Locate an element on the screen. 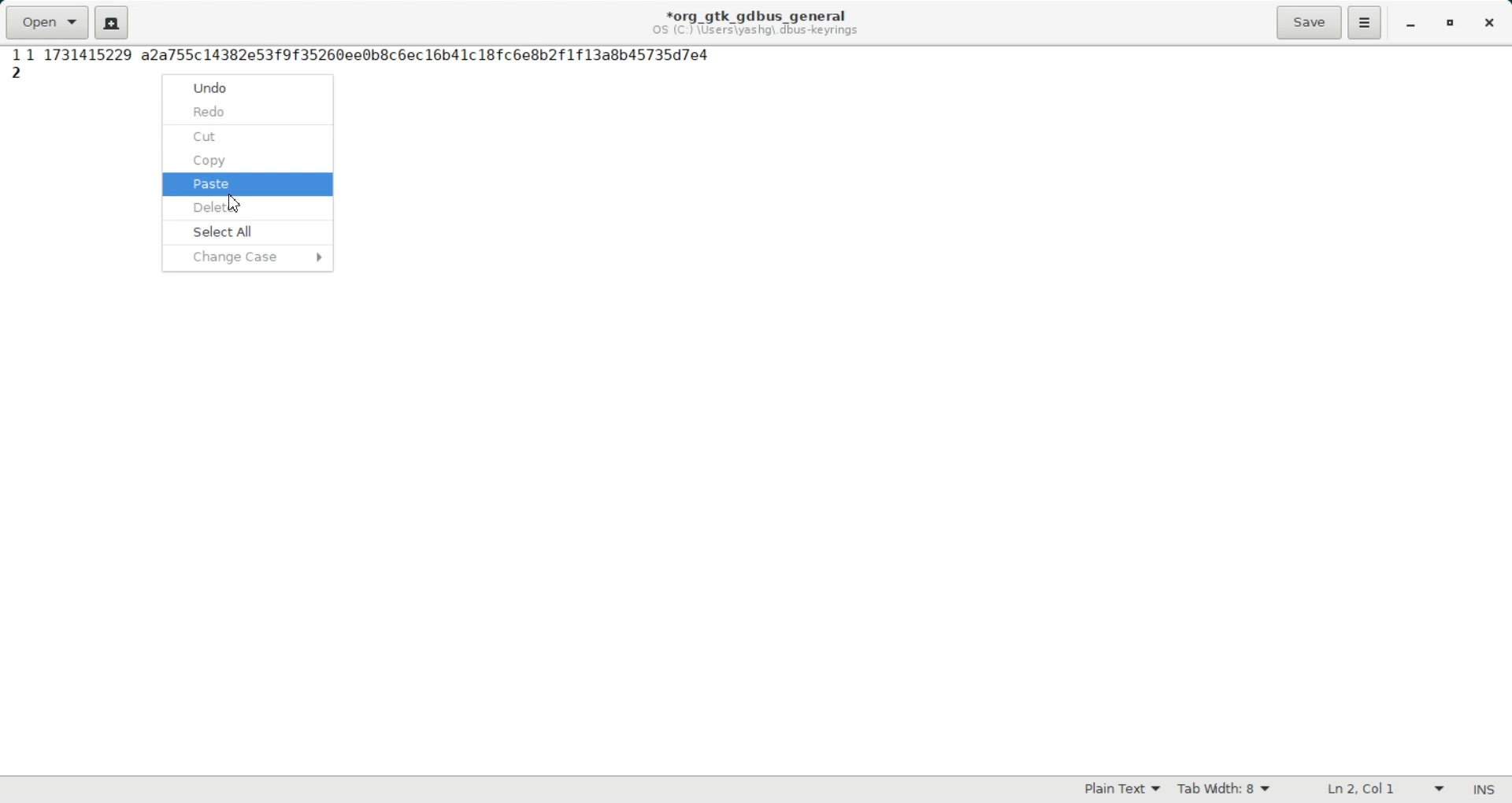 The width and height of the screenshot is (1512, 803). Line Number is located at coordinates (14, 56).